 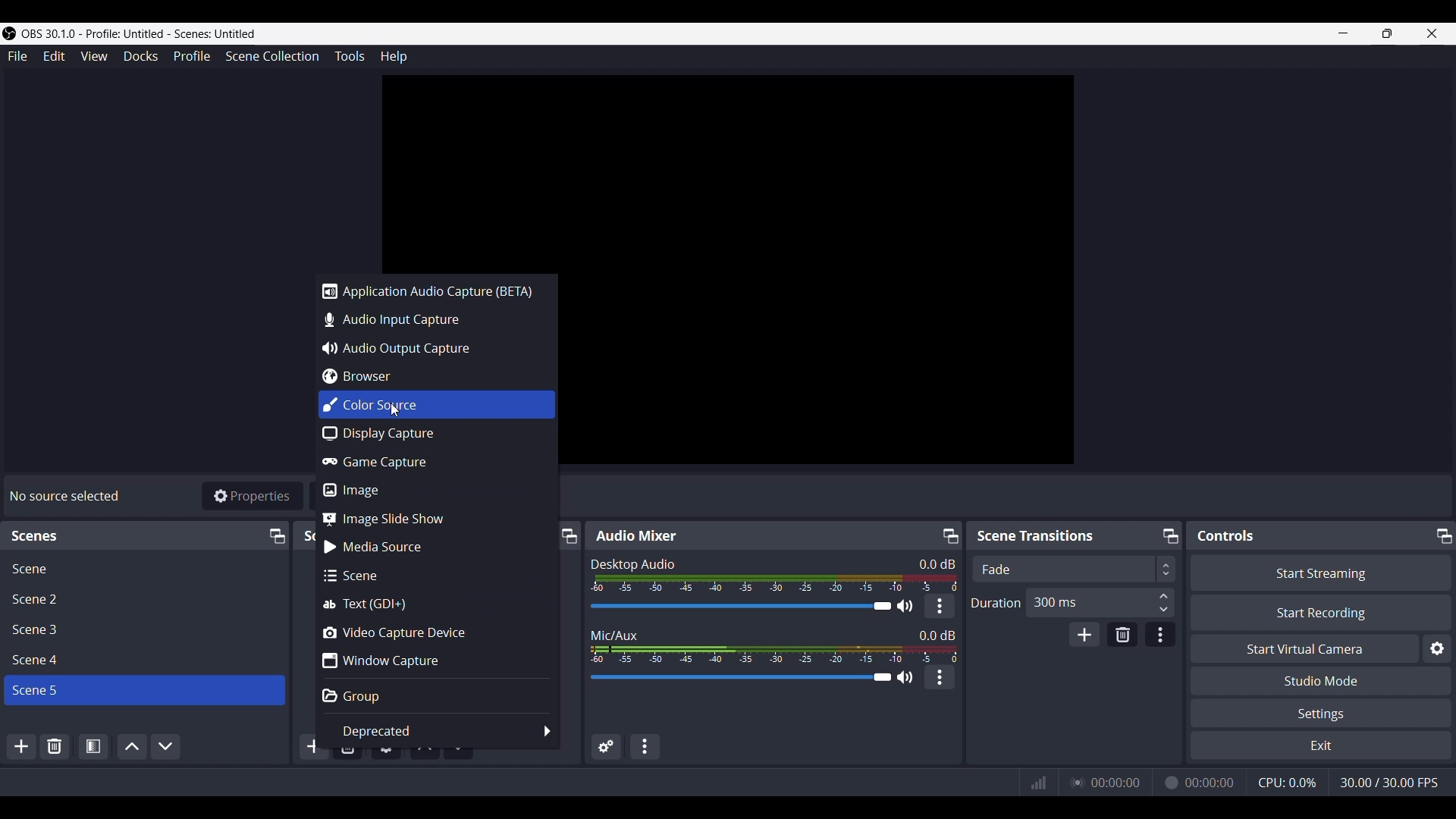 What do you see at coordinates (1444, 535) in the screenshot?
I see `Maximize` at bounding box center [1444, 535].